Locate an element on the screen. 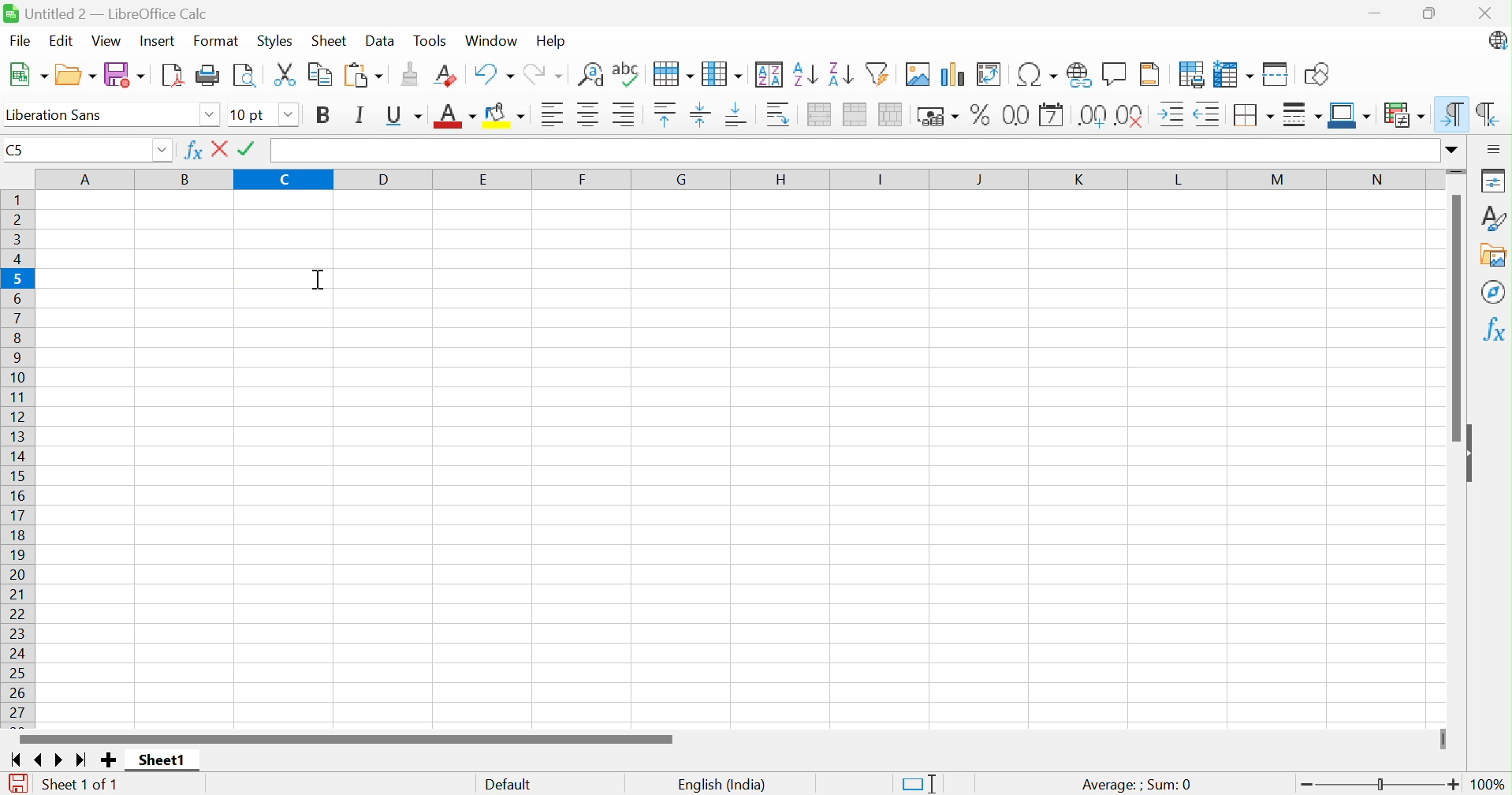  Delete decimal place is located at coordinates (1130, 116).